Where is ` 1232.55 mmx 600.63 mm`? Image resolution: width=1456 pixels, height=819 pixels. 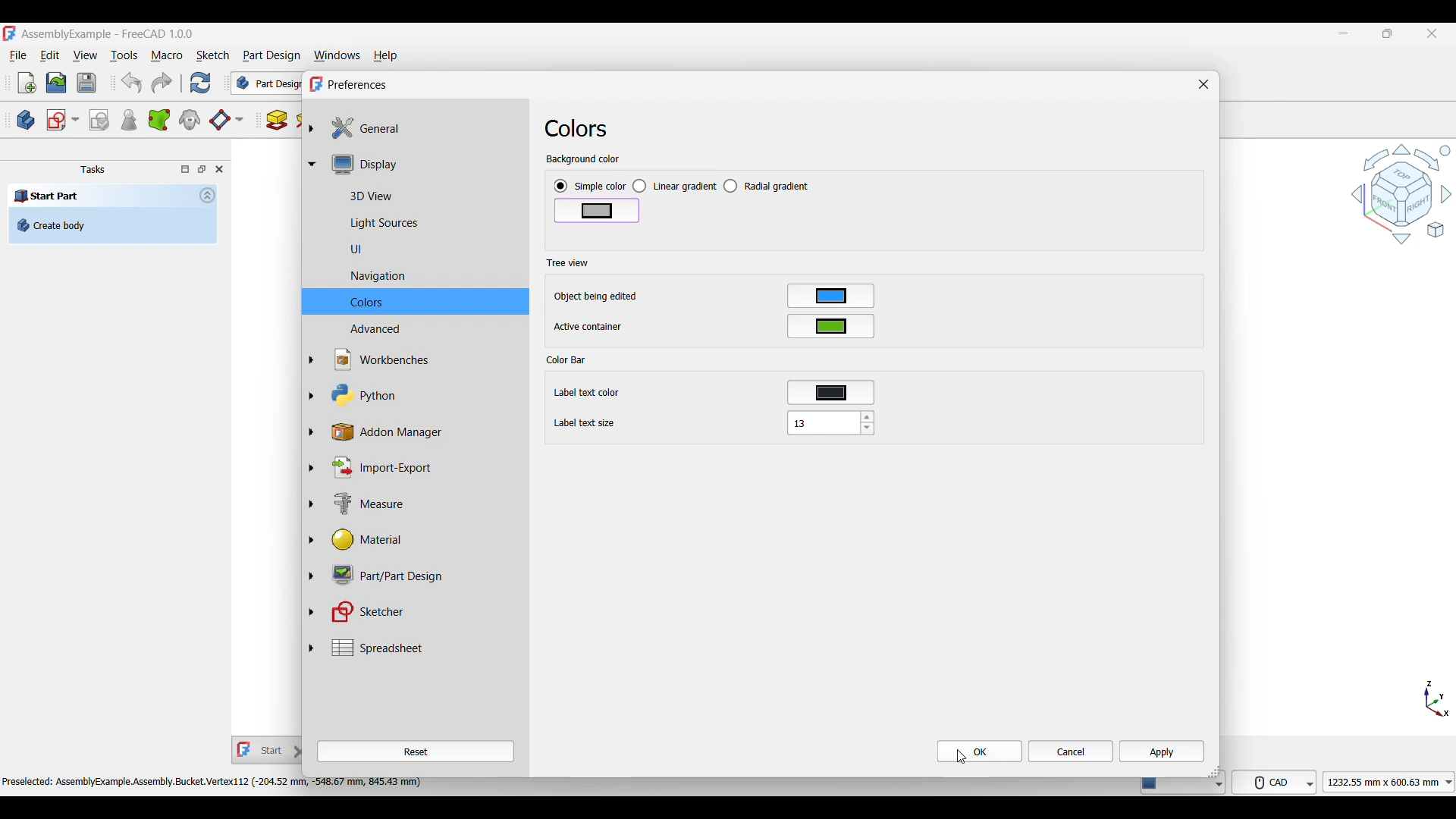  1232.55 mmx 600.63 mm is located at coordinates (1392, 782).